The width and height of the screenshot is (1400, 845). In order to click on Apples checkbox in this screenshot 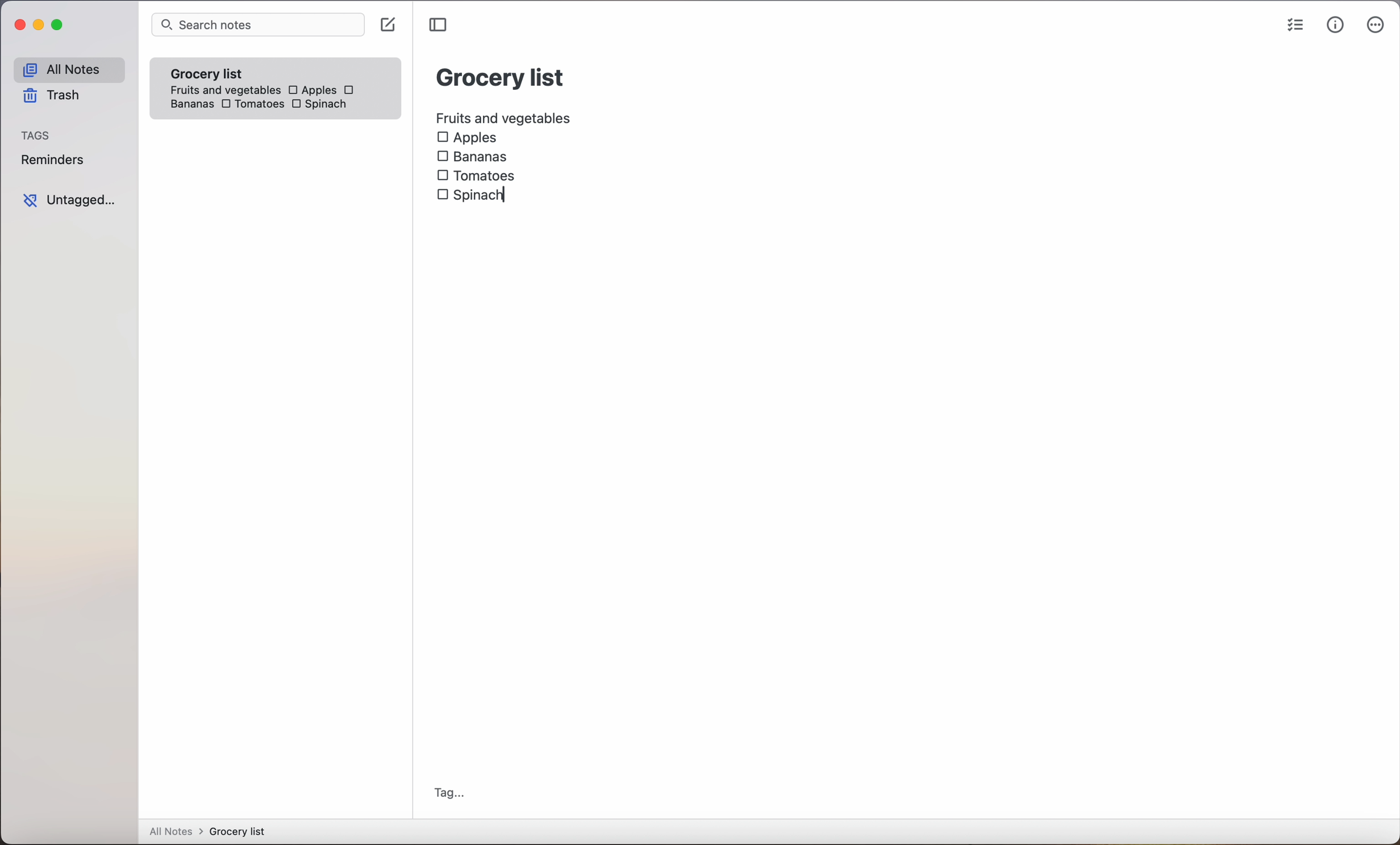, I will do `click(467, 138)`.